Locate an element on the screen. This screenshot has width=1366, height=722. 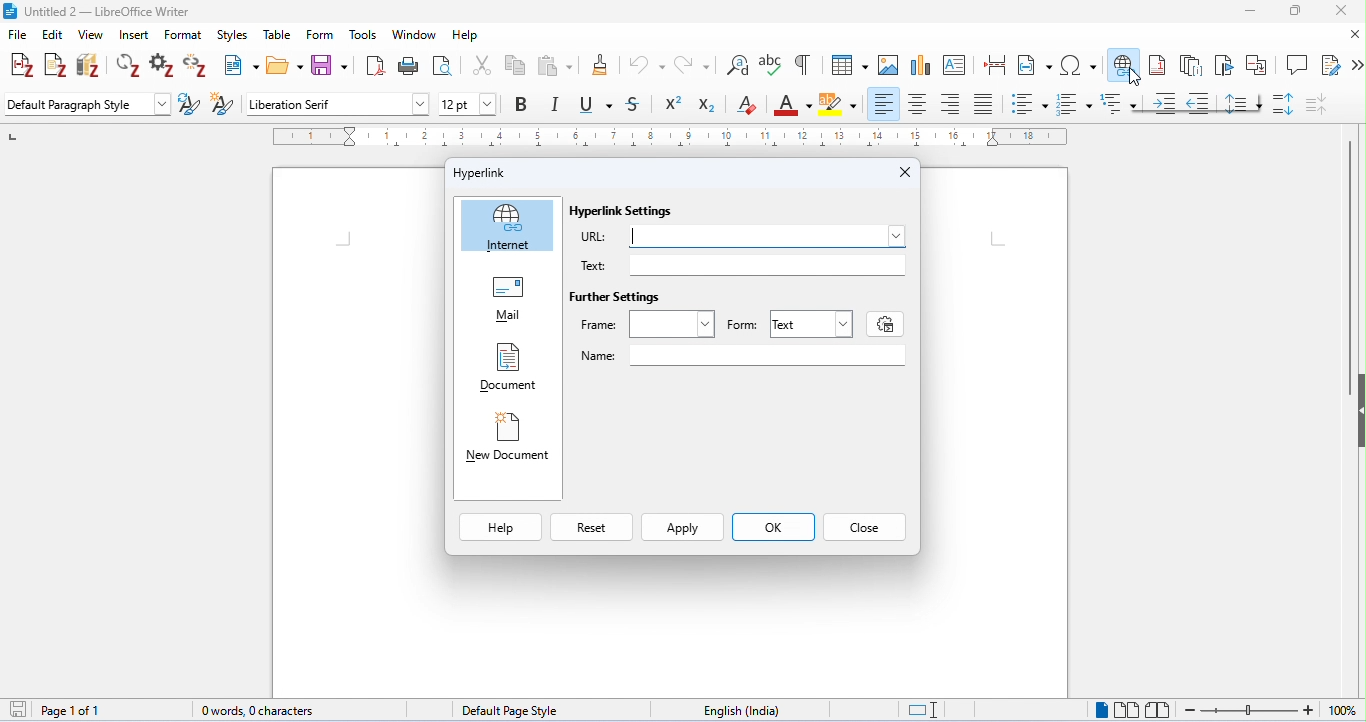
Help is located at coordinates (505, 527).